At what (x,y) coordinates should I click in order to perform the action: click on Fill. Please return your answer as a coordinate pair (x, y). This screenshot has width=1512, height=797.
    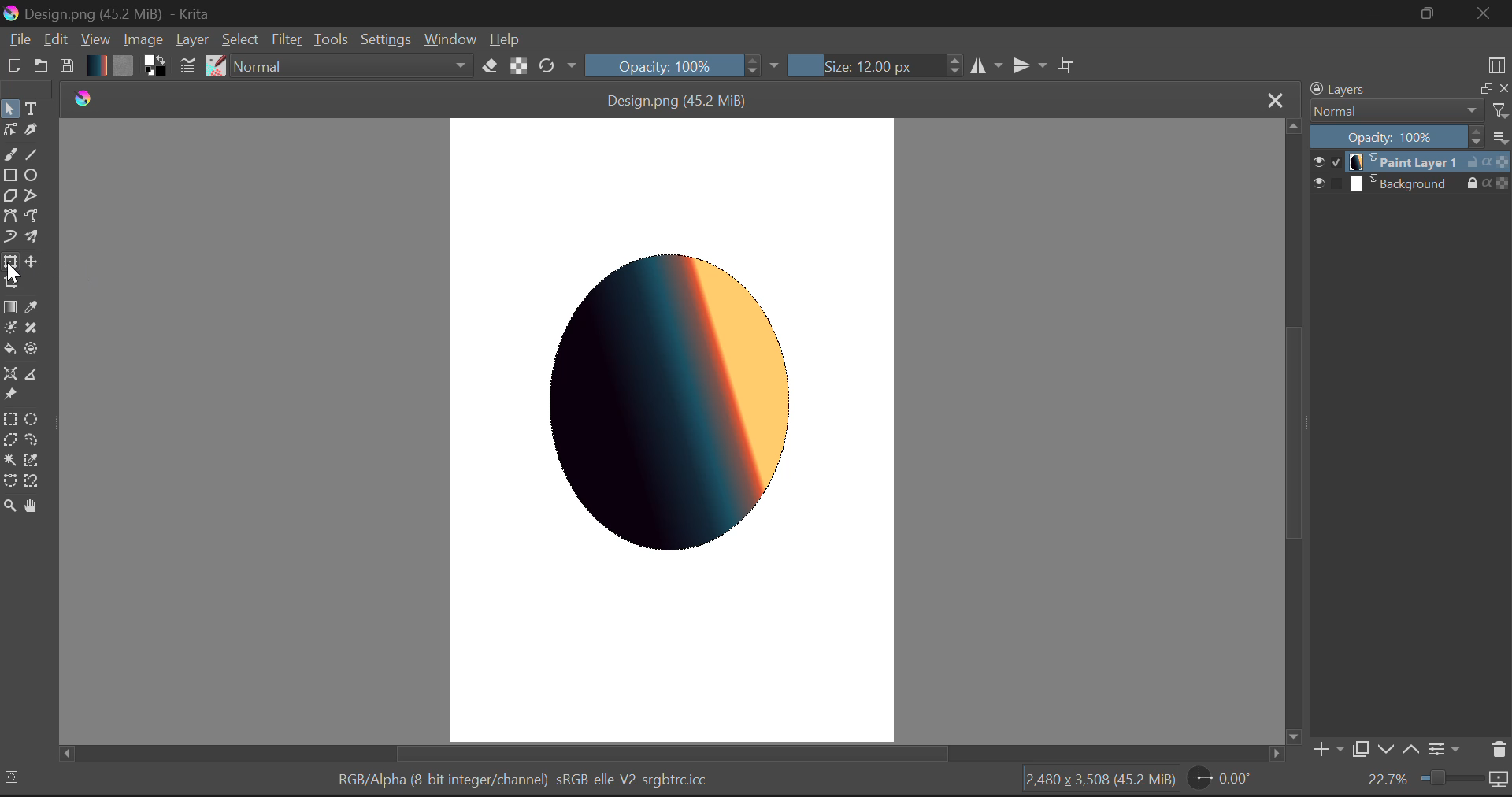
    Looking at the image, I should click on (10, 348).